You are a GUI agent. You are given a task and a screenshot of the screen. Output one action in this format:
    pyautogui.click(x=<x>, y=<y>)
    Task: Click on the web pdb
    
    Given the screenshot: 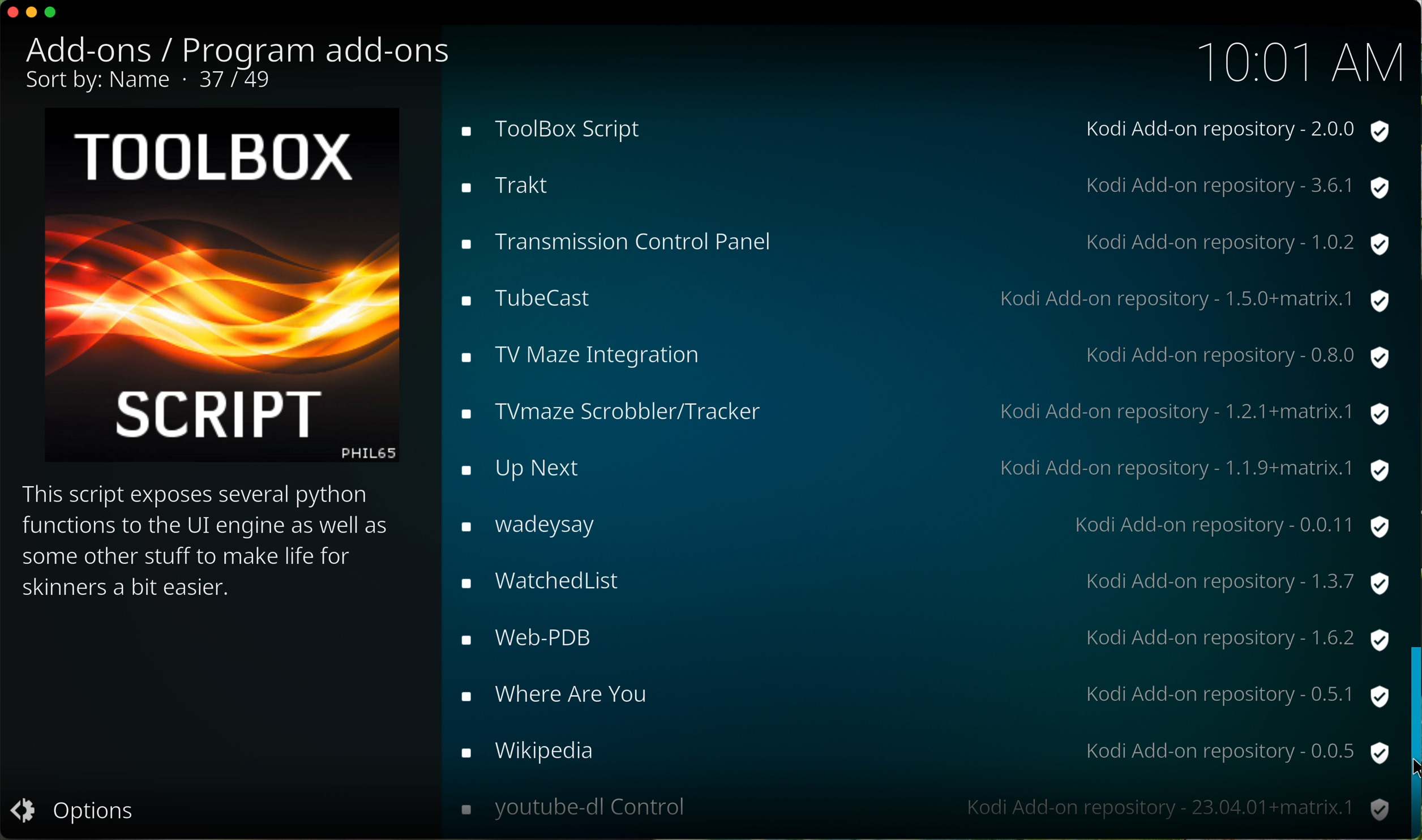 What is the action you would take?
    pyautogui.click(x=918, y=635)
    